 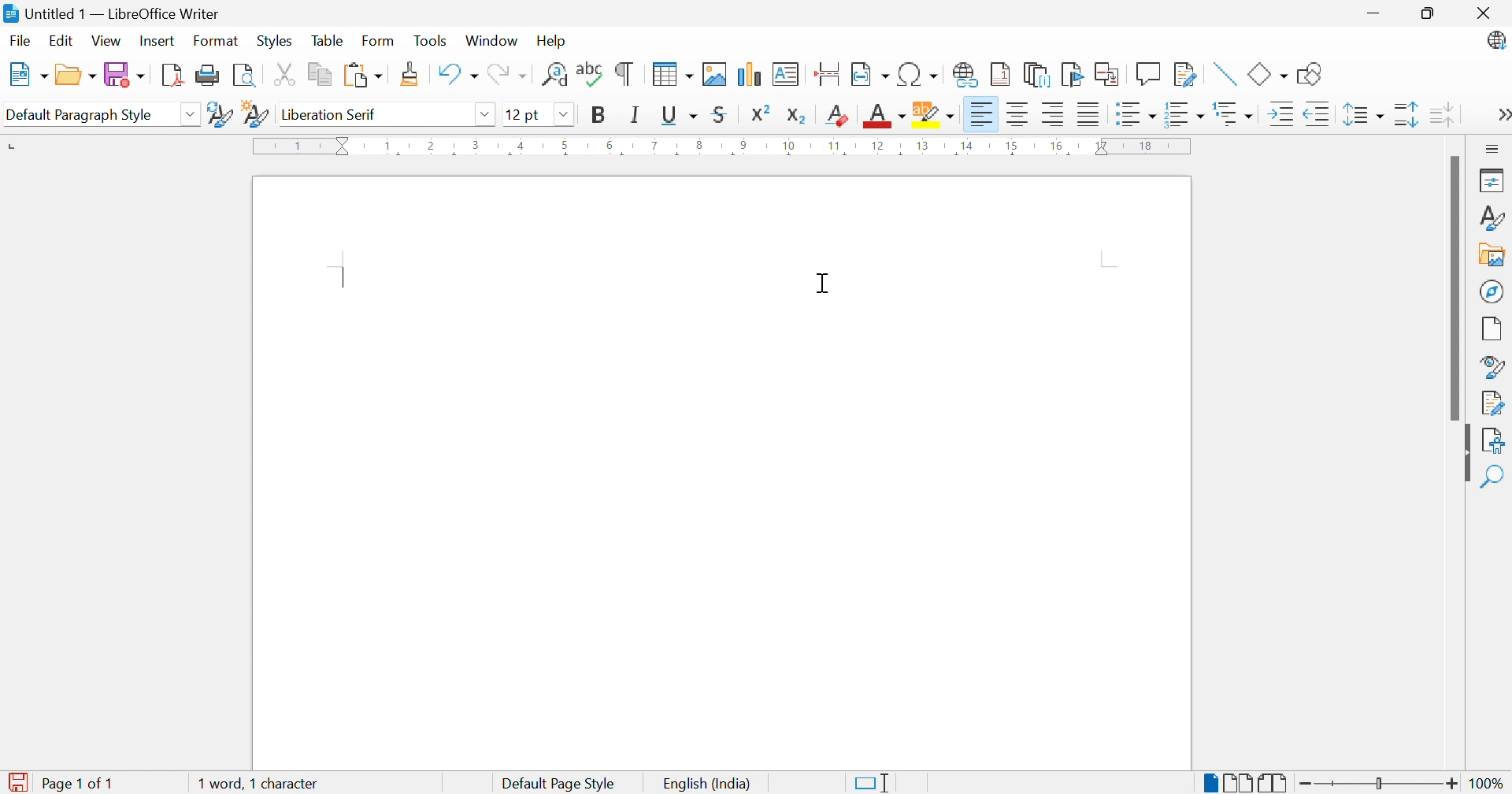 I want to click on Manage Changes, so click(x=1494, y=402).